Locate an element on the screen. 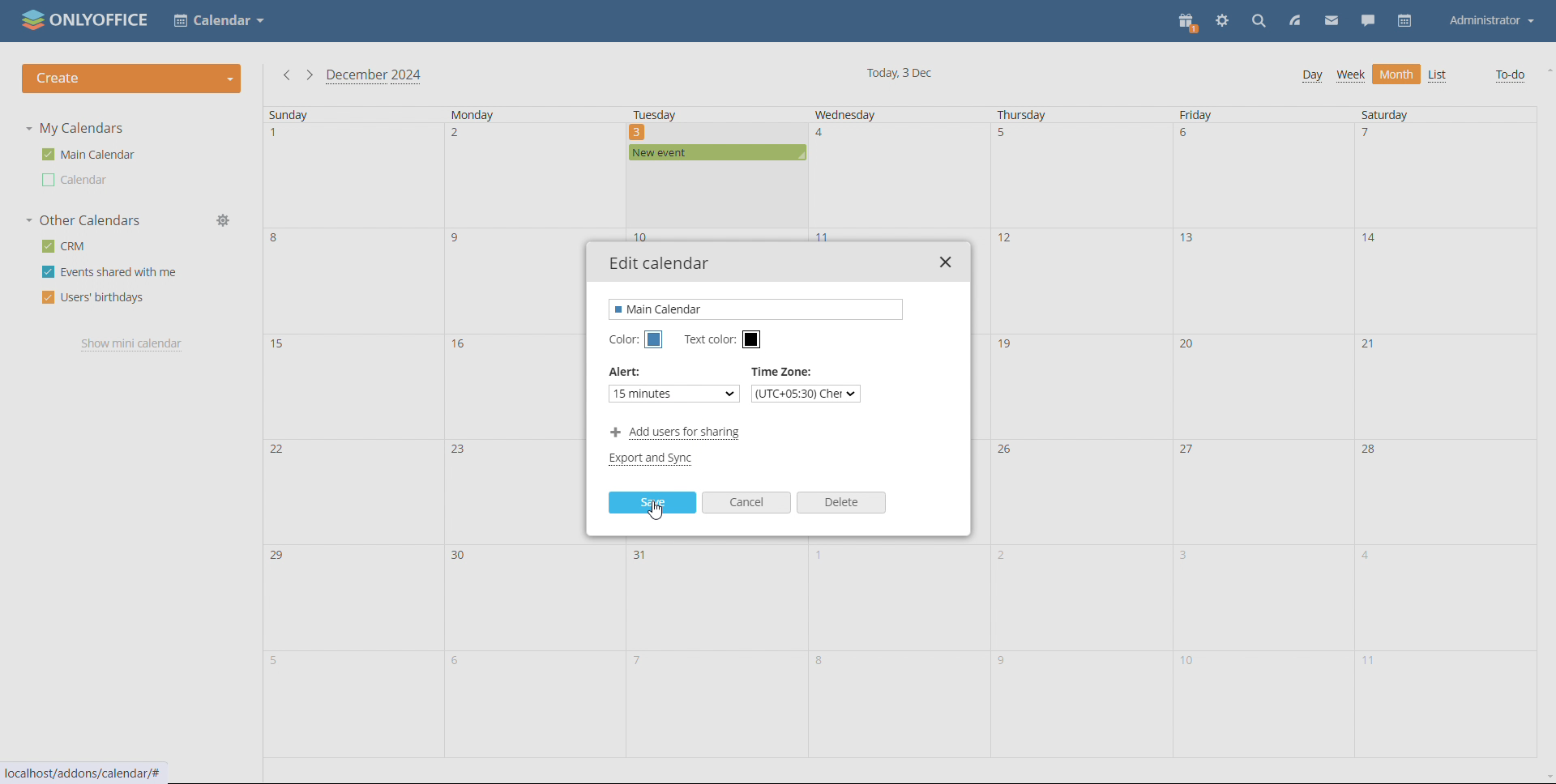 Image resolution: width=1556 pixels, height=784 pixels. search is located at coordinates (1259, 23).